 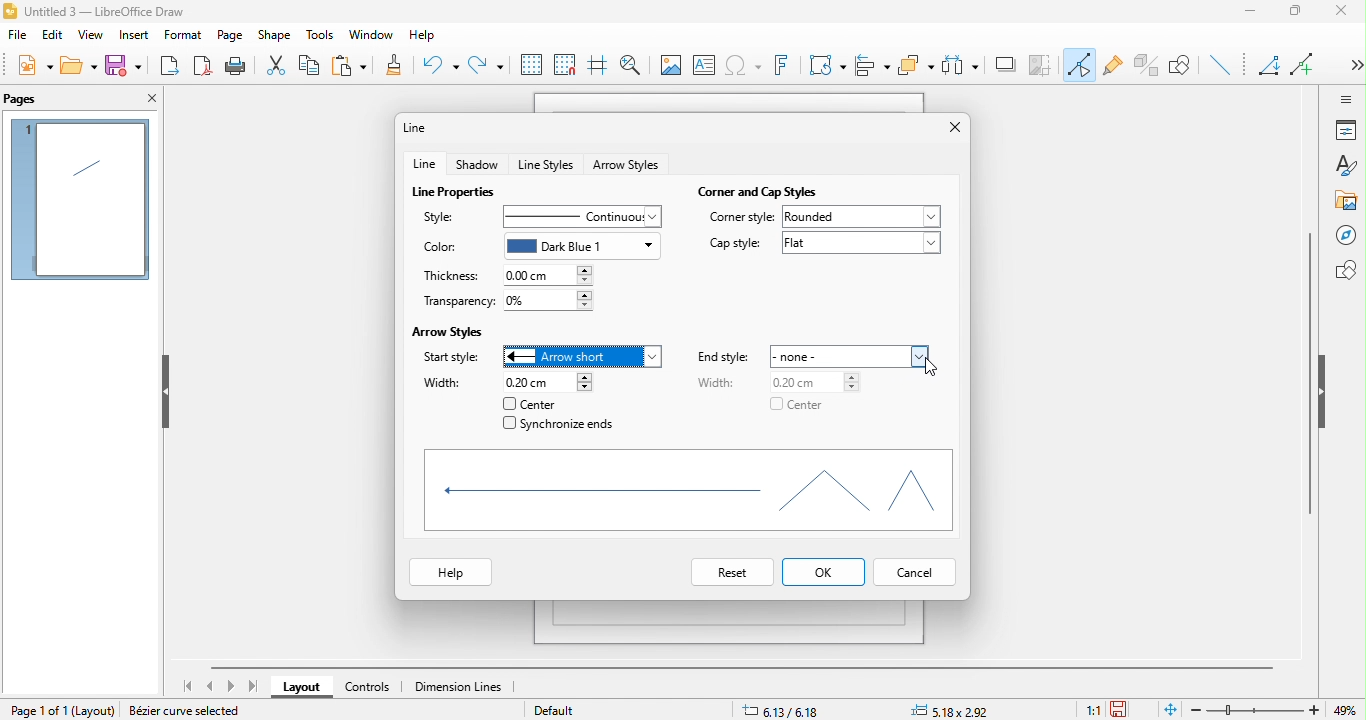 What do you see at coordinates (717, 386) in the screenshot?
I see `width` at bounding box center [717, 386].